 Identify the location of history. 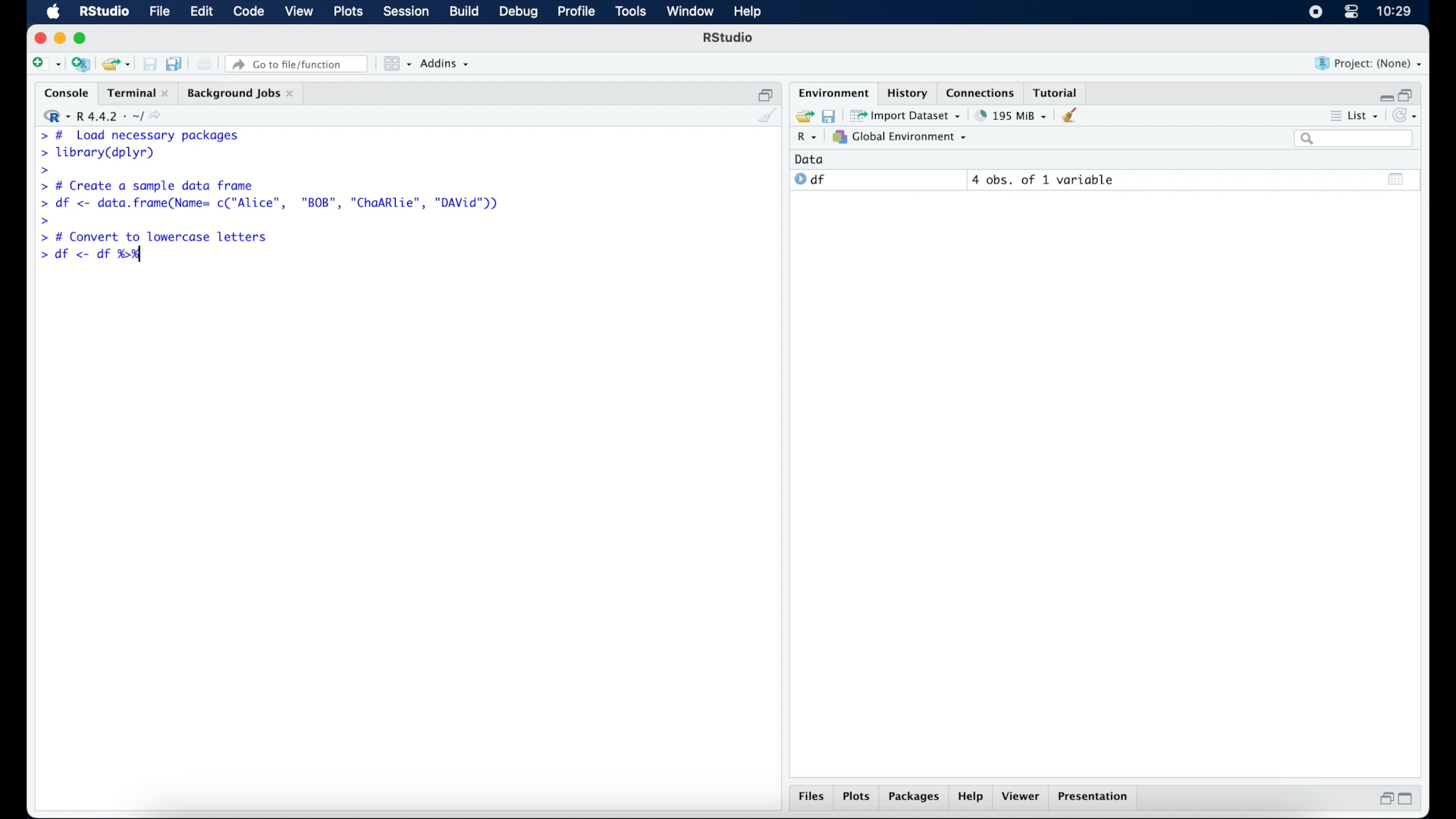
(906, 92).